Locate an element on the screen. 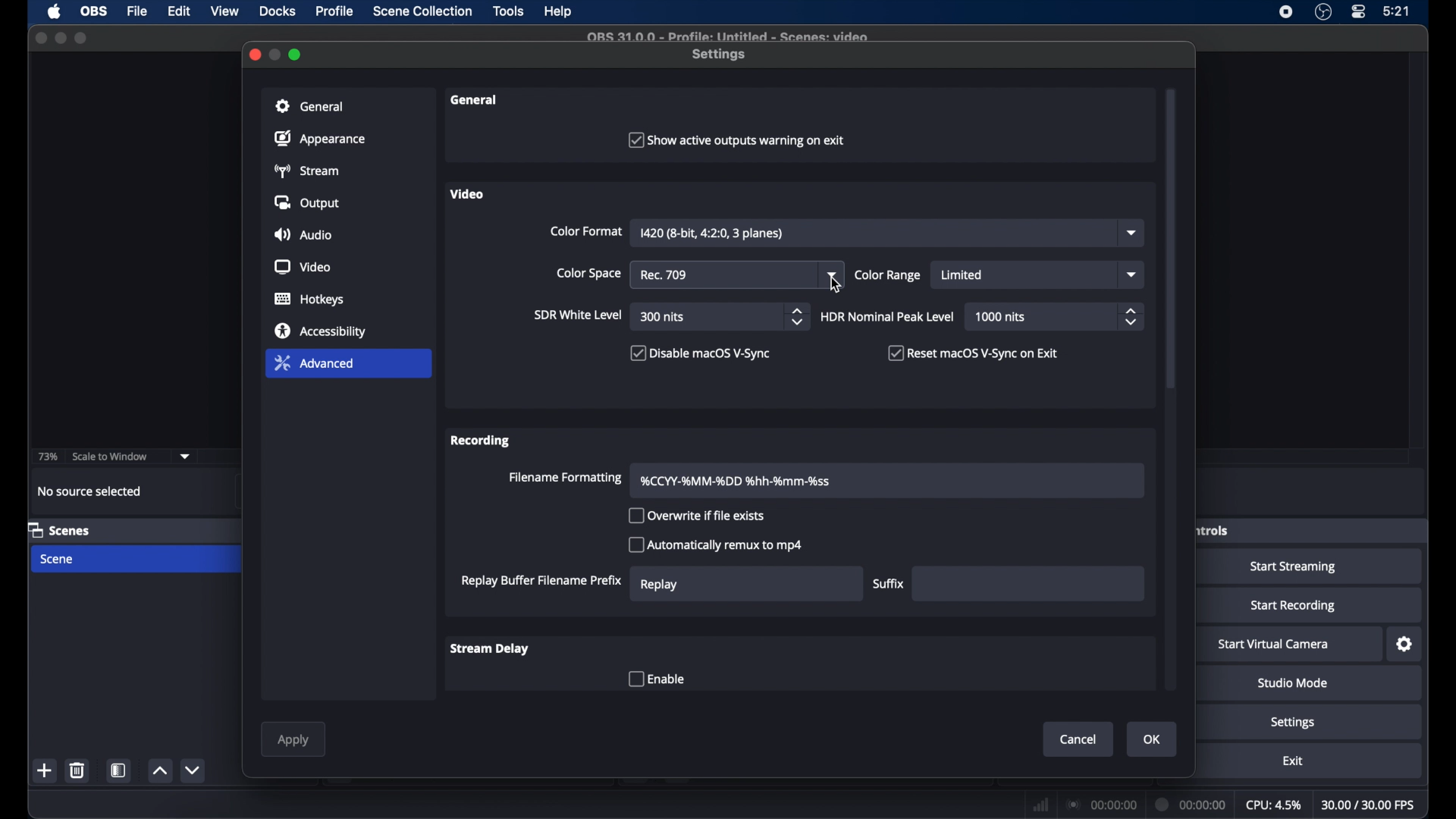  suffix is located at coordinates (890, 584).